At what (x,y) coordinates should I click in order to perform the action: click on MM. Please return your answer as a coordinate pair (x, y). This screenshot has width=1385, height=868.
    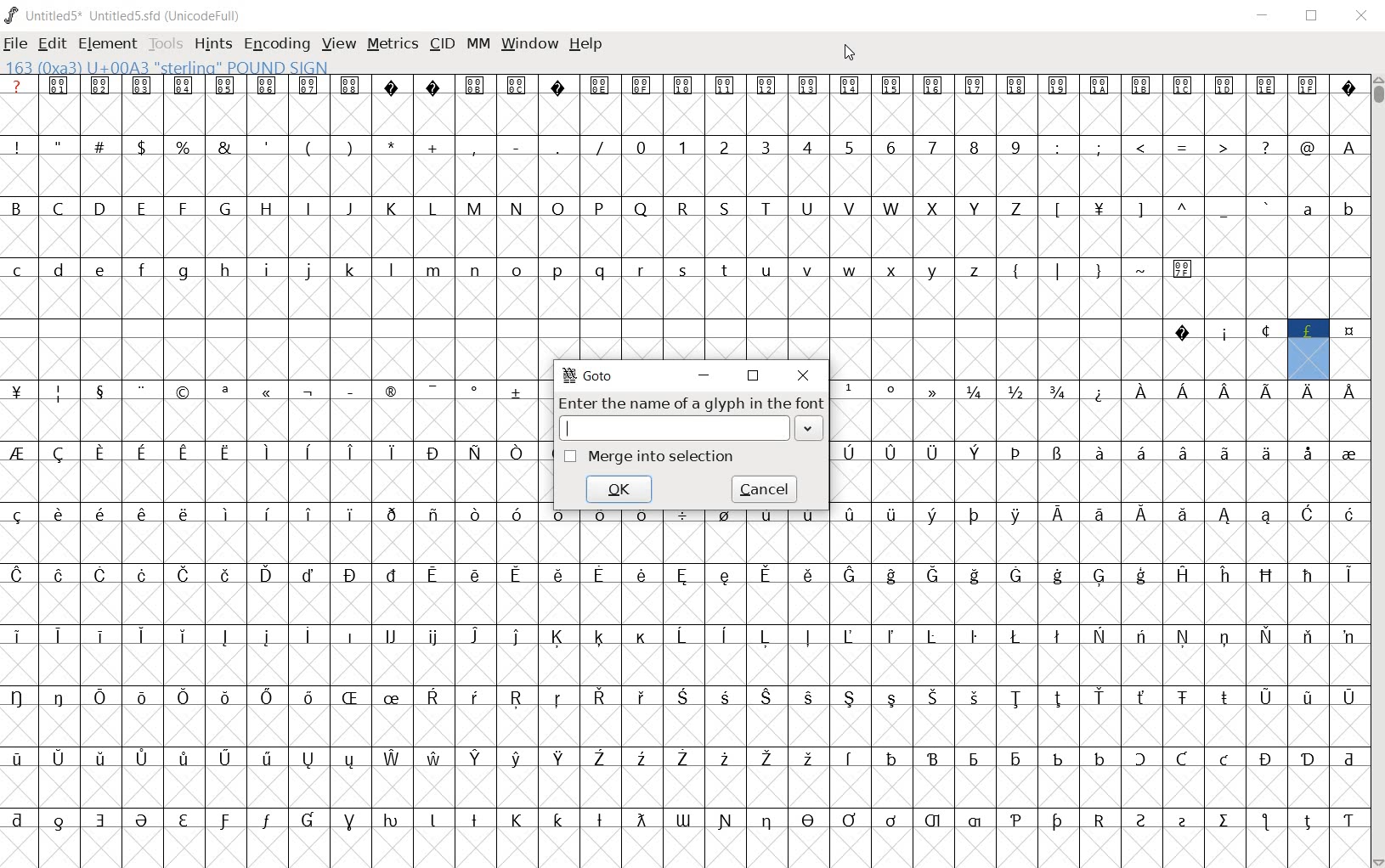
    Looking at the image, I should click on (480, 45).